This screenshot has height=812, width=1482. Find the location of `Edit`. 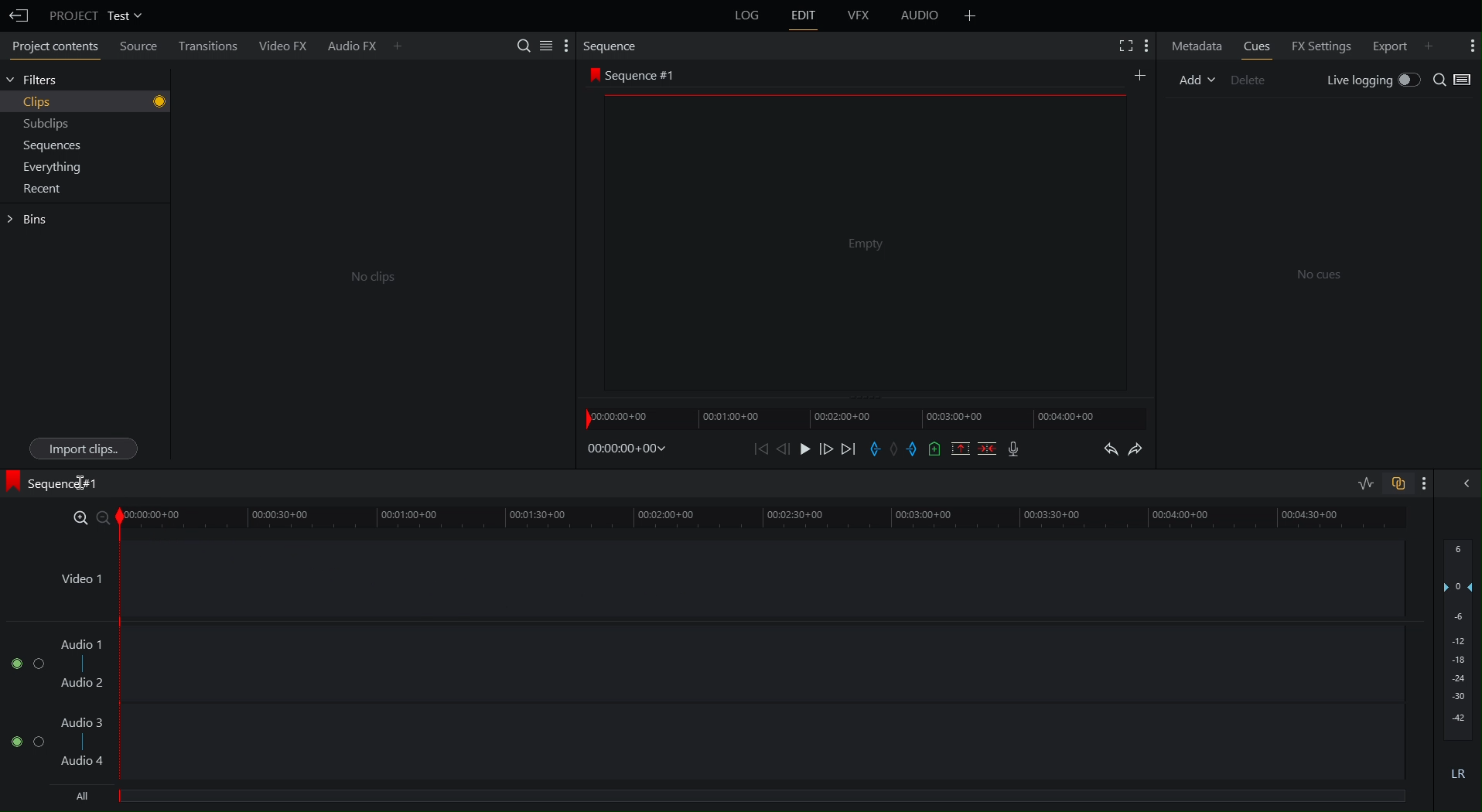

Edit is located at coordinates (807, 19).